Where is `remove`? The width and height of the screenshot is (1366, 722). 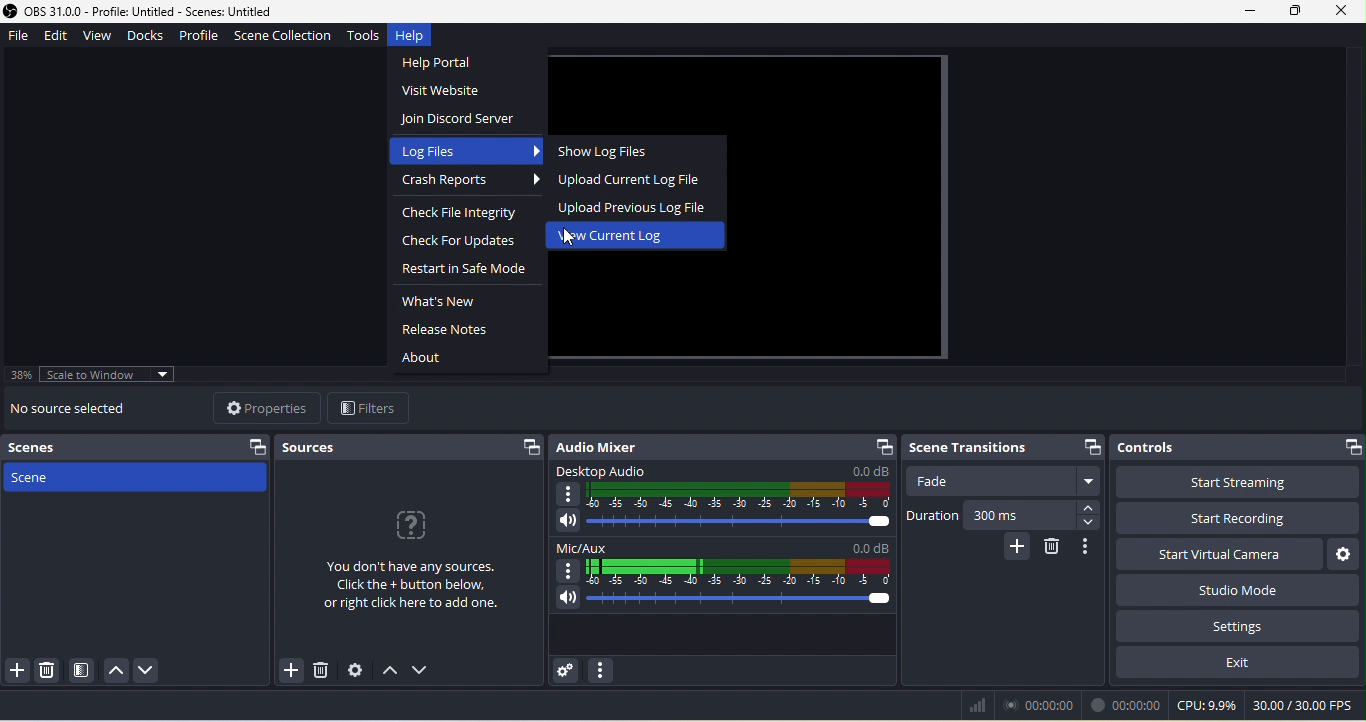 remove is located at coordinates (1057, 549).